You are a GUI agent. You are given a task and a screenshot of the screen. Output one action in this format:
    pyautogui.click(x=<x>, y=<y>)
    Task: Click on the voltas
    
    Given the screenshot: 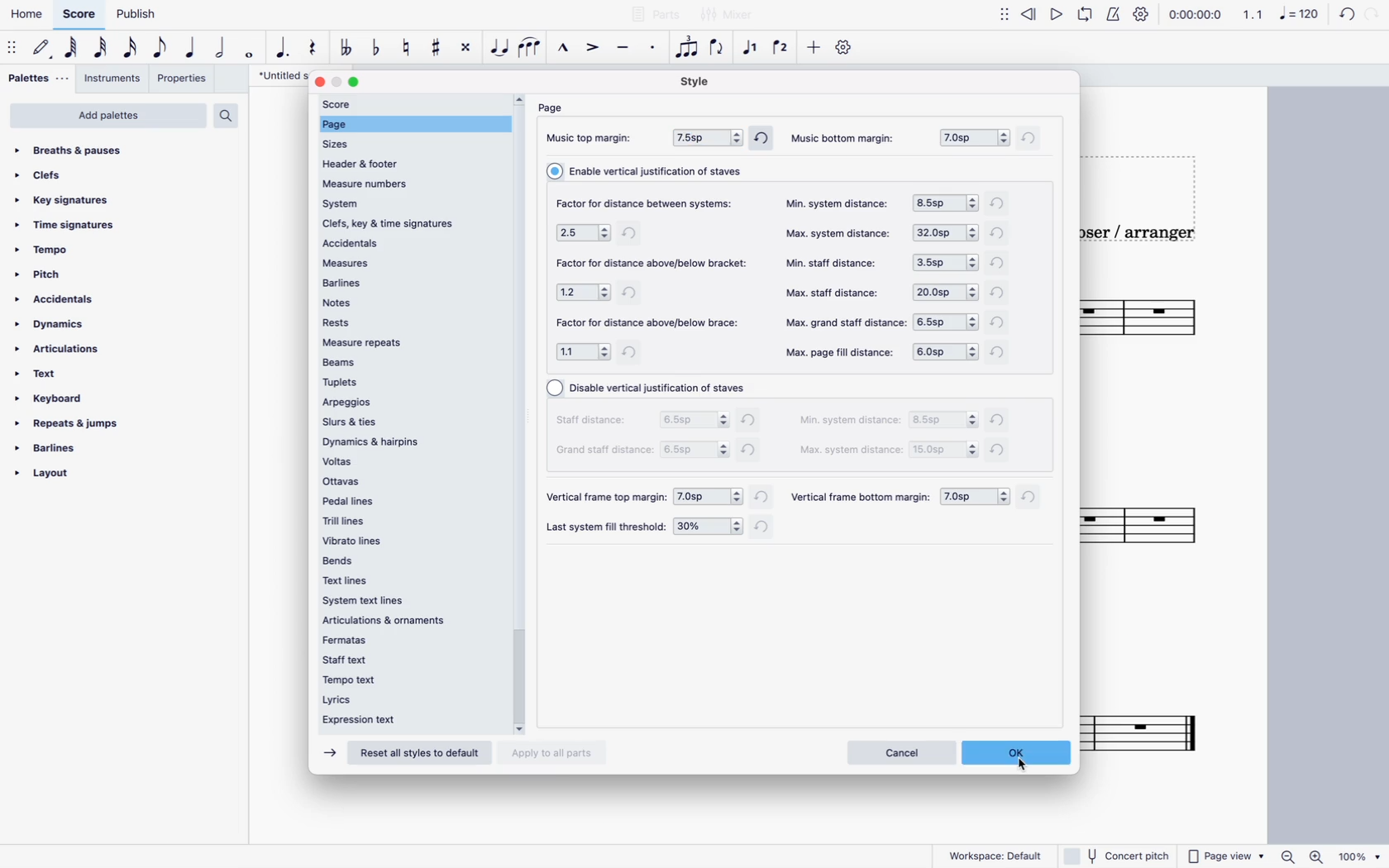 What is the action you would take?
    pyautogui.click(x=411, y=461)
    